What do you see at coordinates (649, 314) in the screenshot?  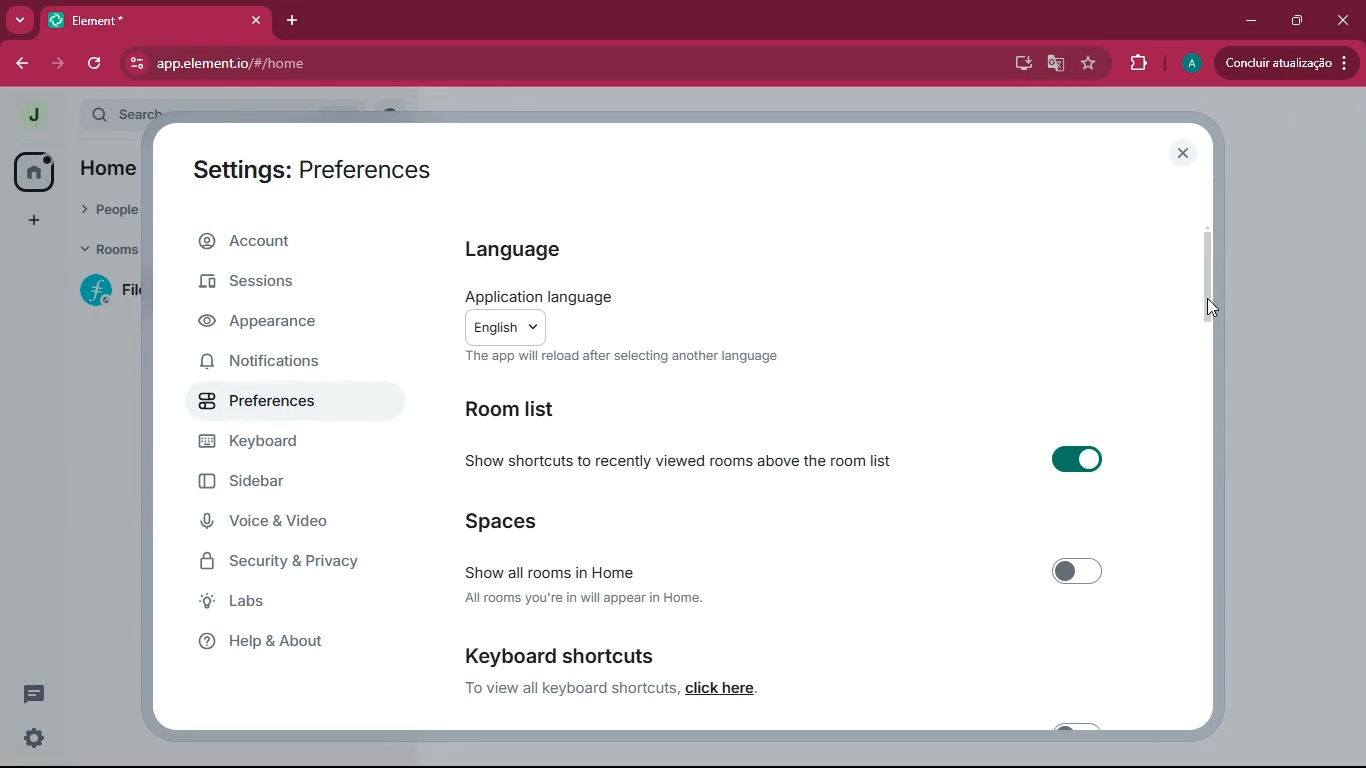 I see `application language english` at bounding box center [649, 314].